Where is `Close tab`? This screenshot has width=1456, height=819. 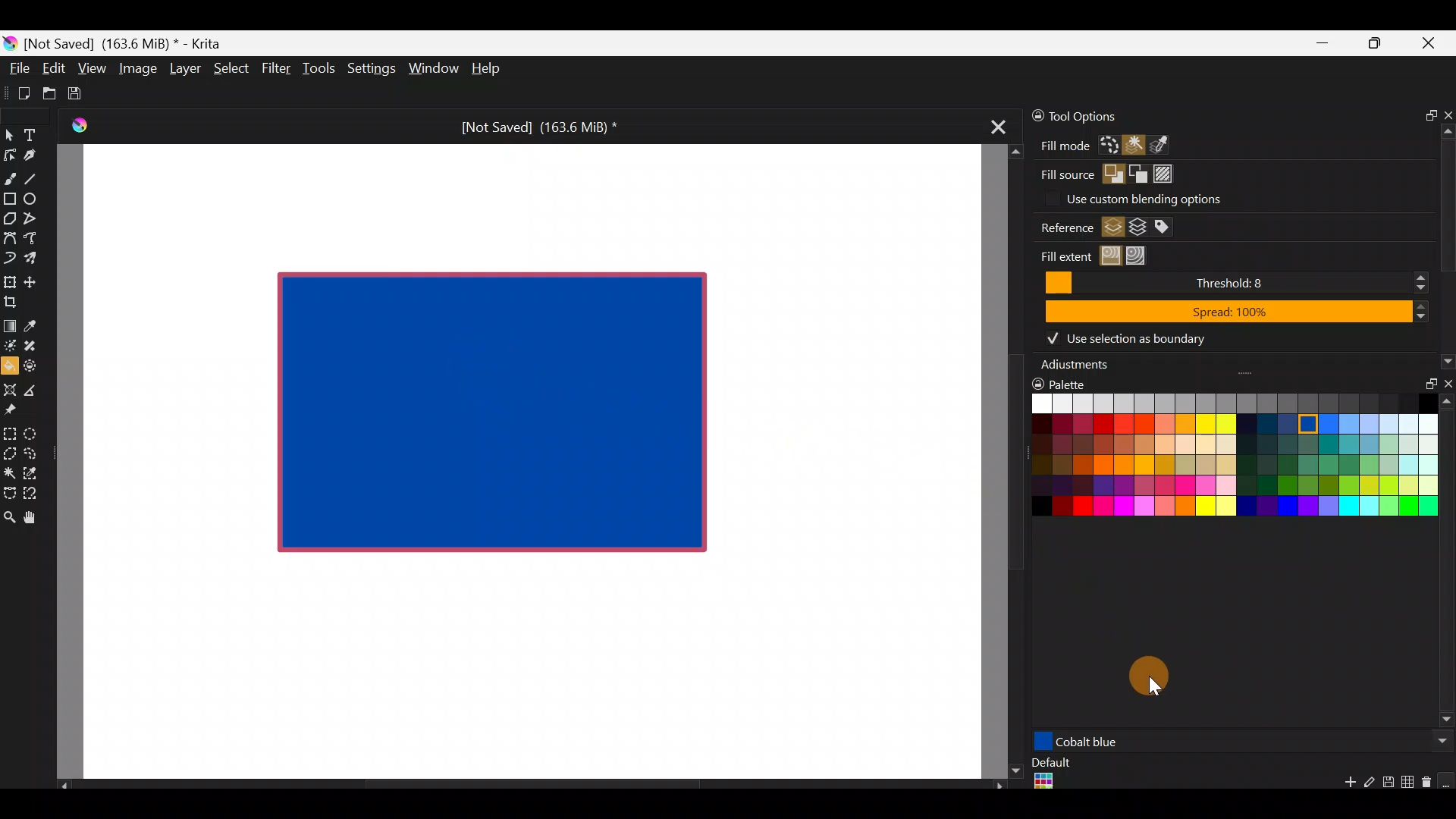 Close tab is located at coordinates (999, 131).